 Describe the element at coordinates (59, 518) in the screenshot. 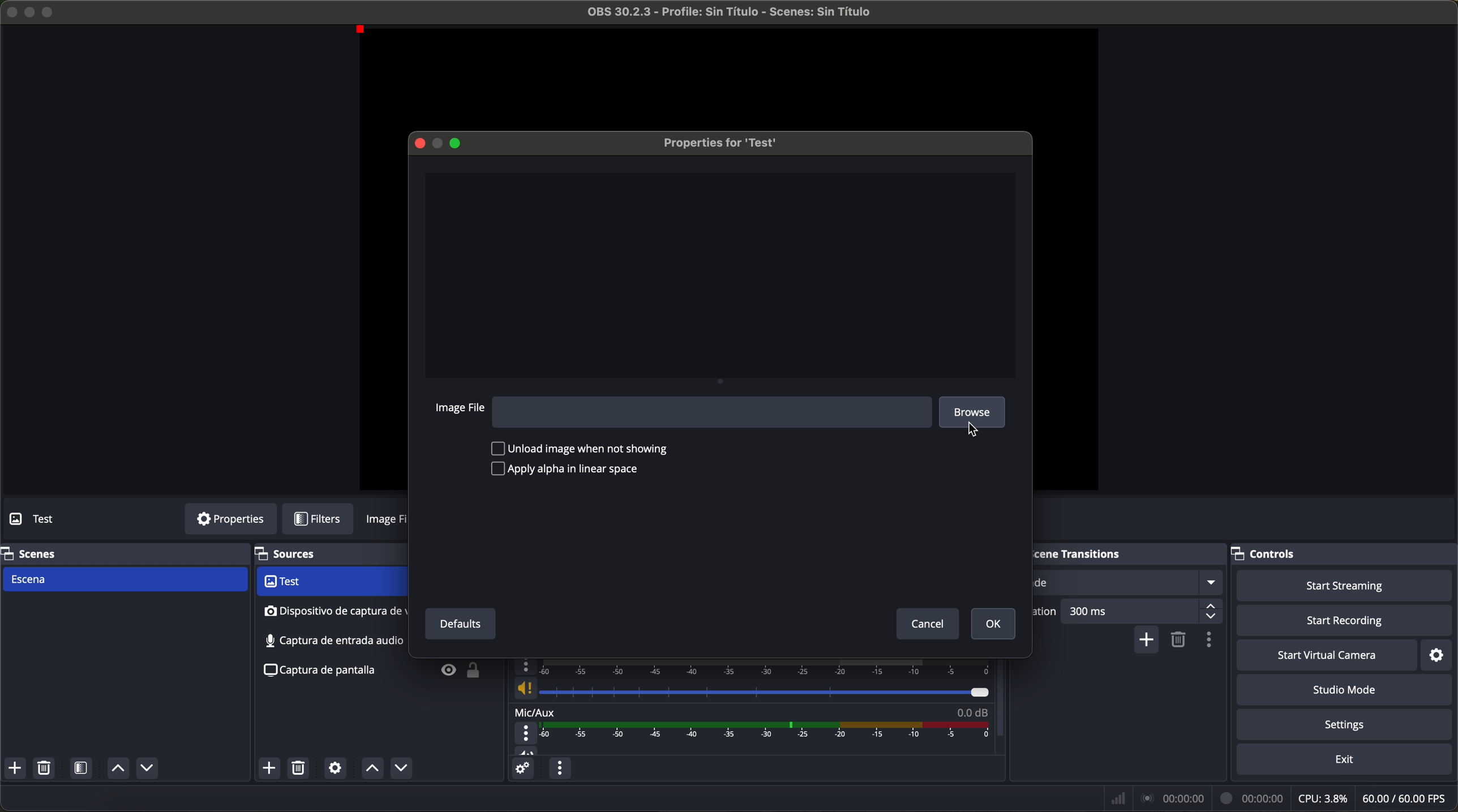

I see `no source selected` at that location.